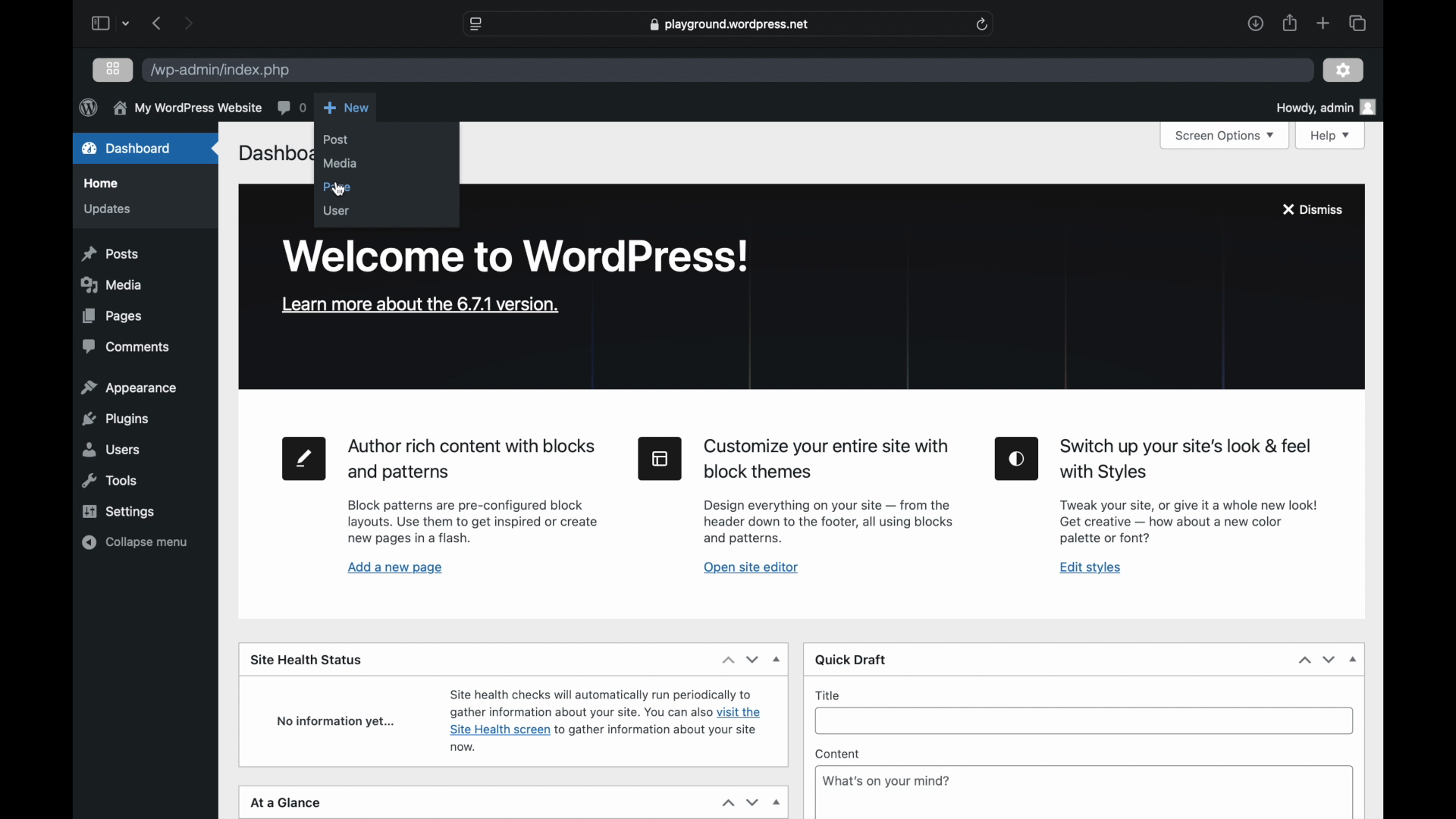 The width and height of the screenshot is (1456, 819). Describe the element at coordinates (828, 696) in the screenshot. I see `title` at that location.